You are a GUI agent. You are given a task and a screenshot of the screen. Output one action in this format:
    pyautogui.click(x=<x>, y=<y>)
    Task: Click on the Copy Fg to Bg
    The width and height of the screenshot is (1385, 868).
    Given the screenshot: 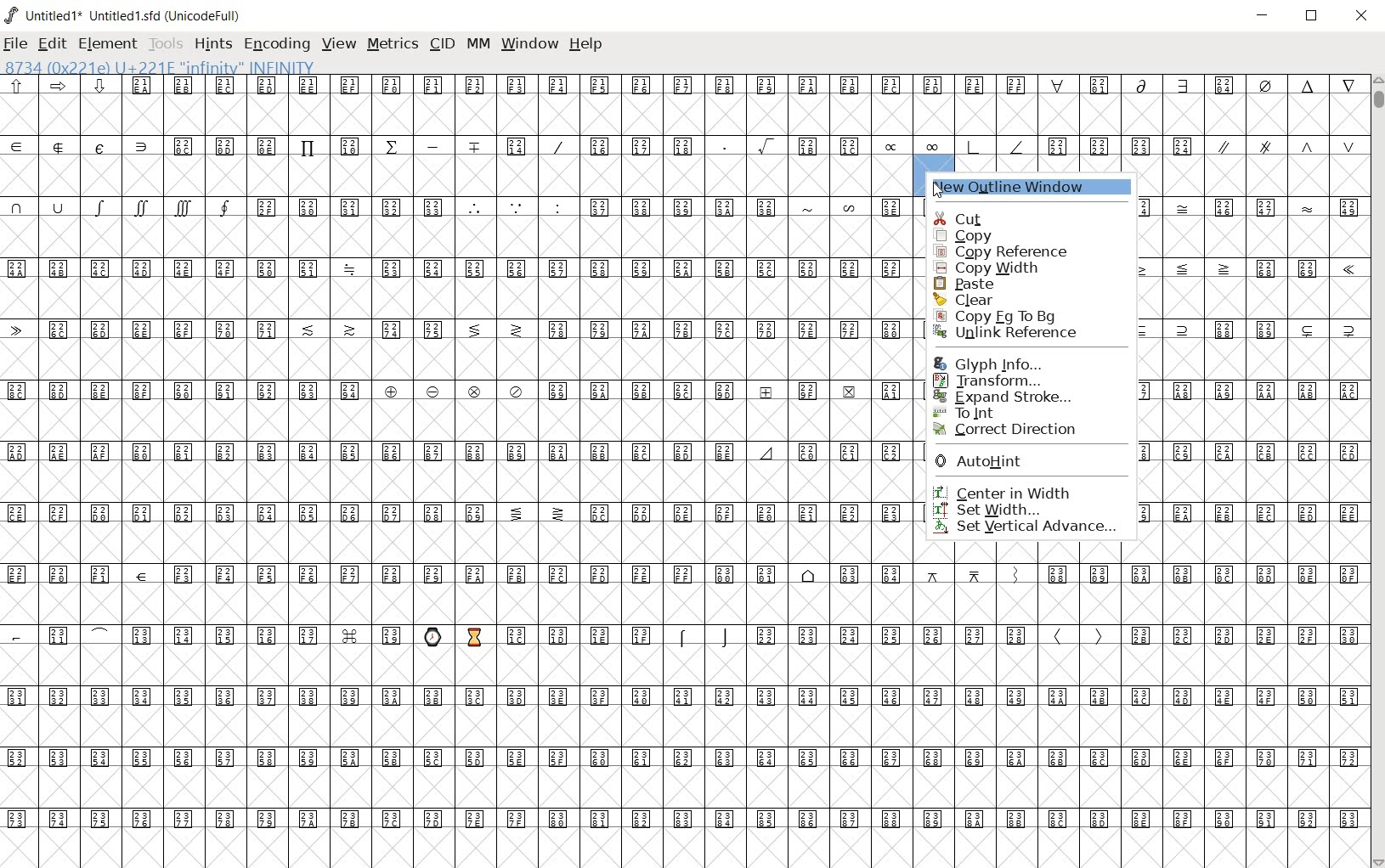 What is the action you would take?
    pyautogui.click(x=1012, y=315)
    